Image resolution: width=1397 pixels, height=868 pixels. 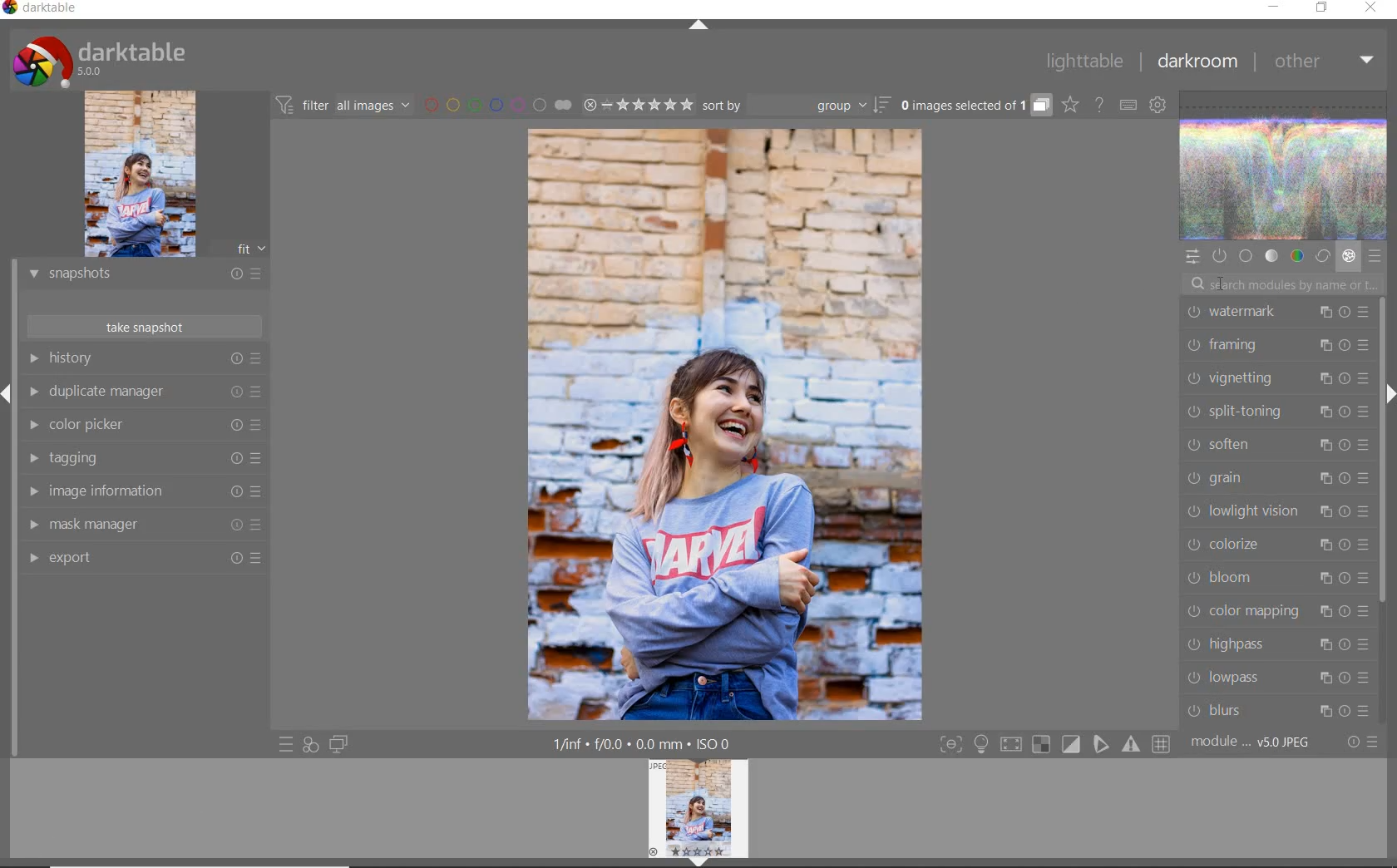 What do you see at coordinates (1223, 283) in the screenshot?
I see `cursor` at bounding box center [1223, 283].